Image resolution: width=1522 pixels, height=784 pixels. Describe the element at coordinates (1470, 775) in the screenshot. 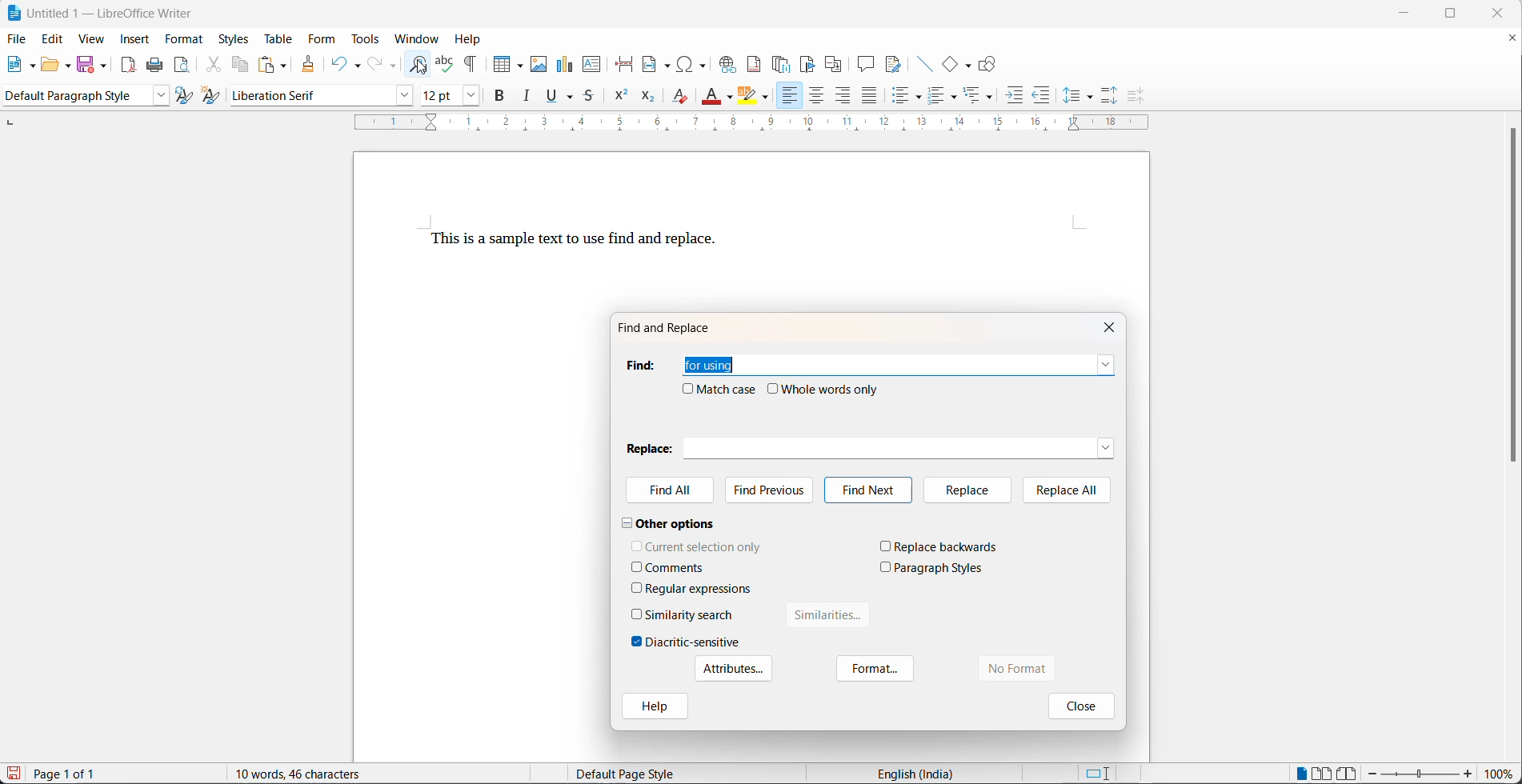

I see `increase zoom` at that location.